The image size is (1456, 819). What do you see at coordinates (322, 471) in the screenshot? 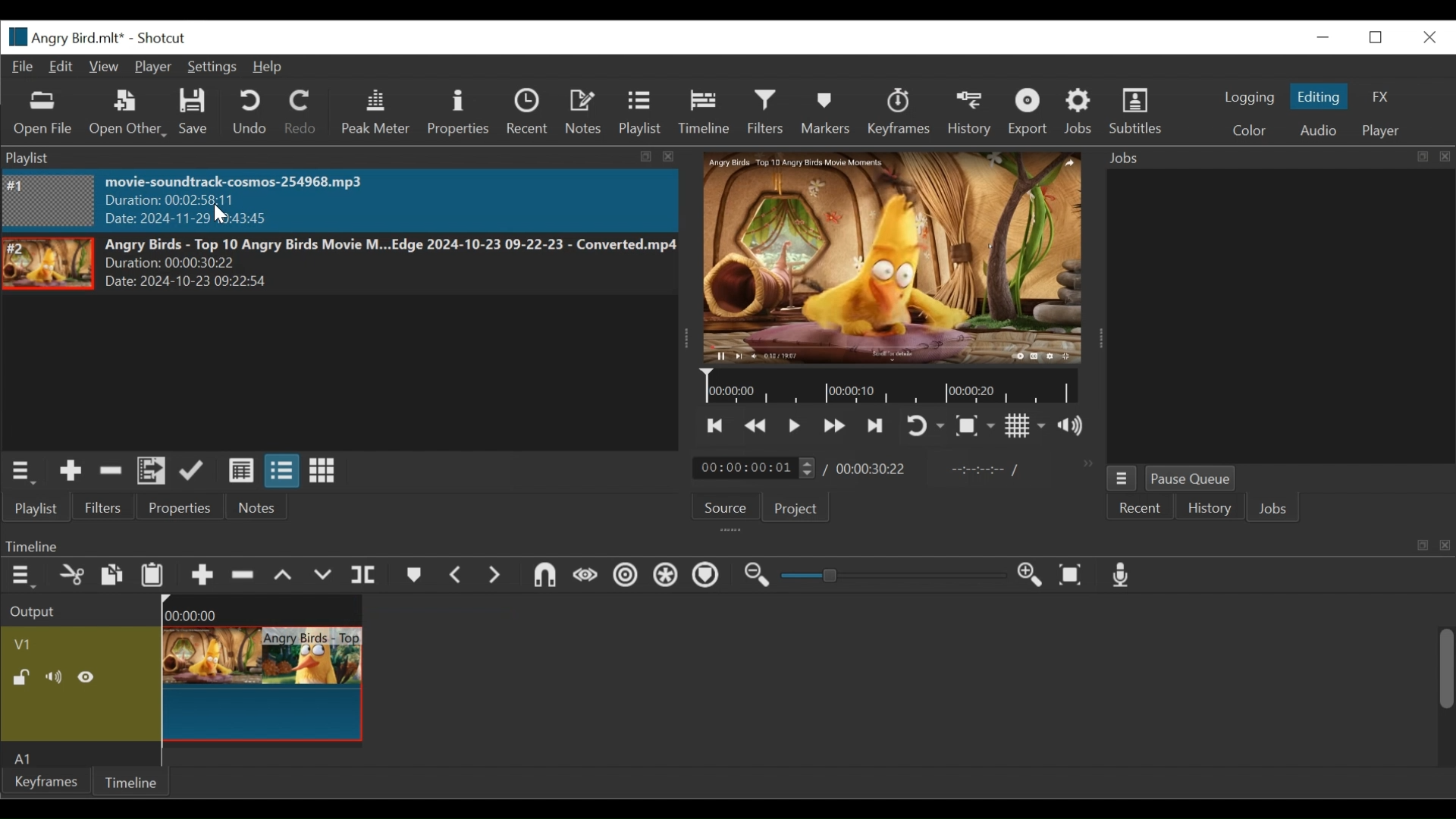
I see `View as icons` at bounding box center [322, 471].